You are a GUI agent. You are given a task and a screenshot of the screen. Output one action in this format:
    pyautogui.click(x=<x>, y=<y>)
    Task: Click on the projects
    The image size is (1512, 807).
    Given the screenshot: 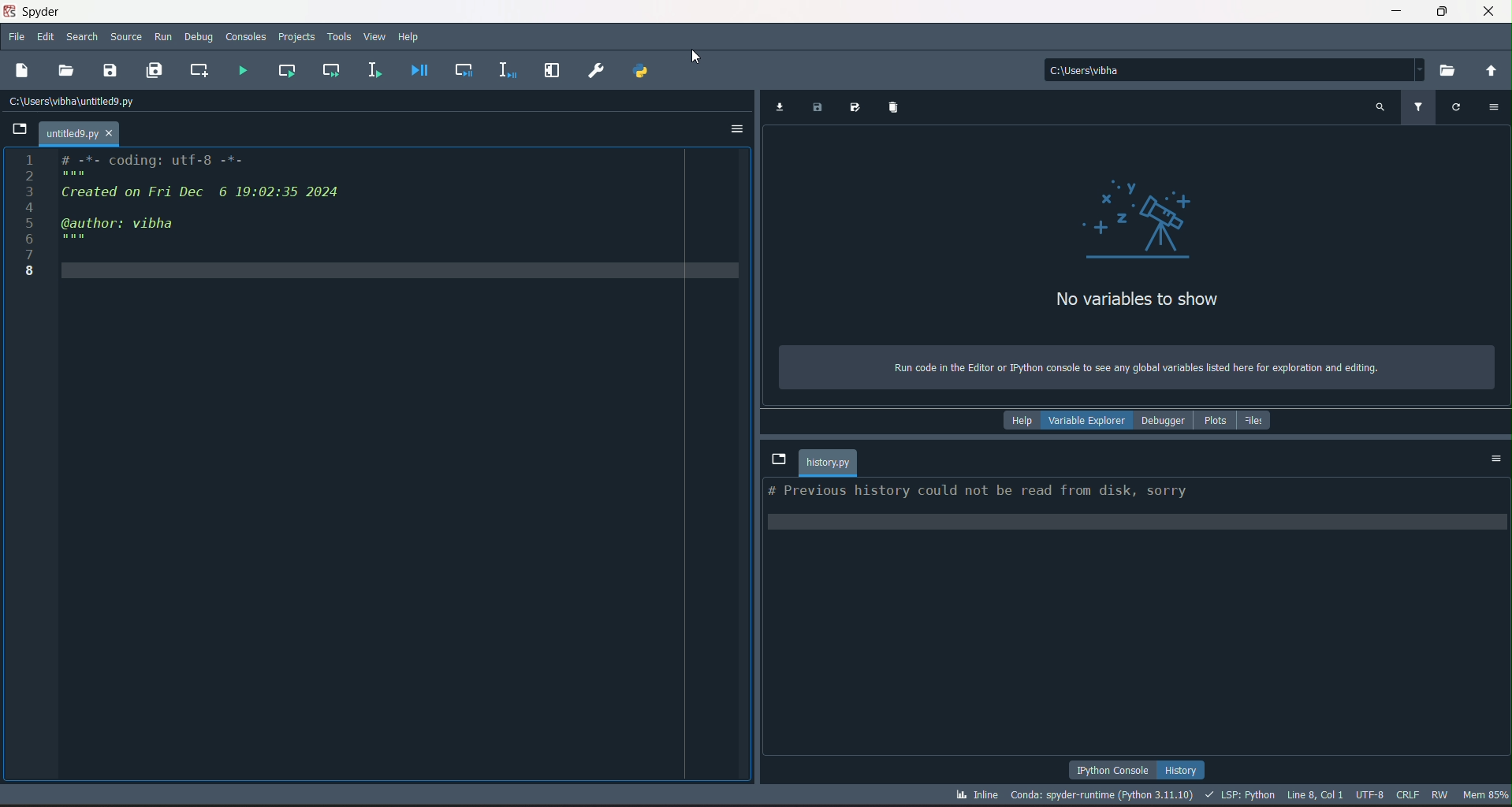 What is the action you would take?
    pyautogui.click(x=297, y=35)
    